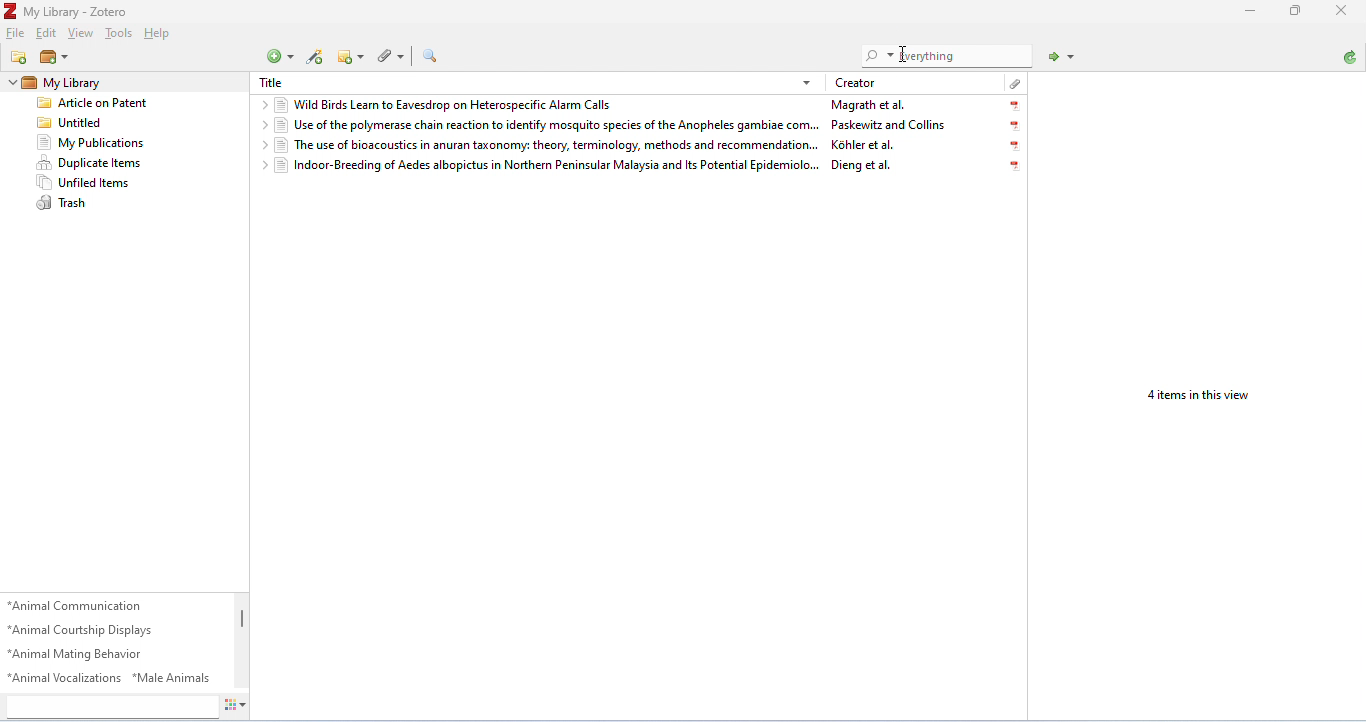 The width and height of the screenshot is (1366, 722). What do you see at coordinates (106, 181) in the screenshot?
I see `Unfiled tems` at bounding box center [106, 181].